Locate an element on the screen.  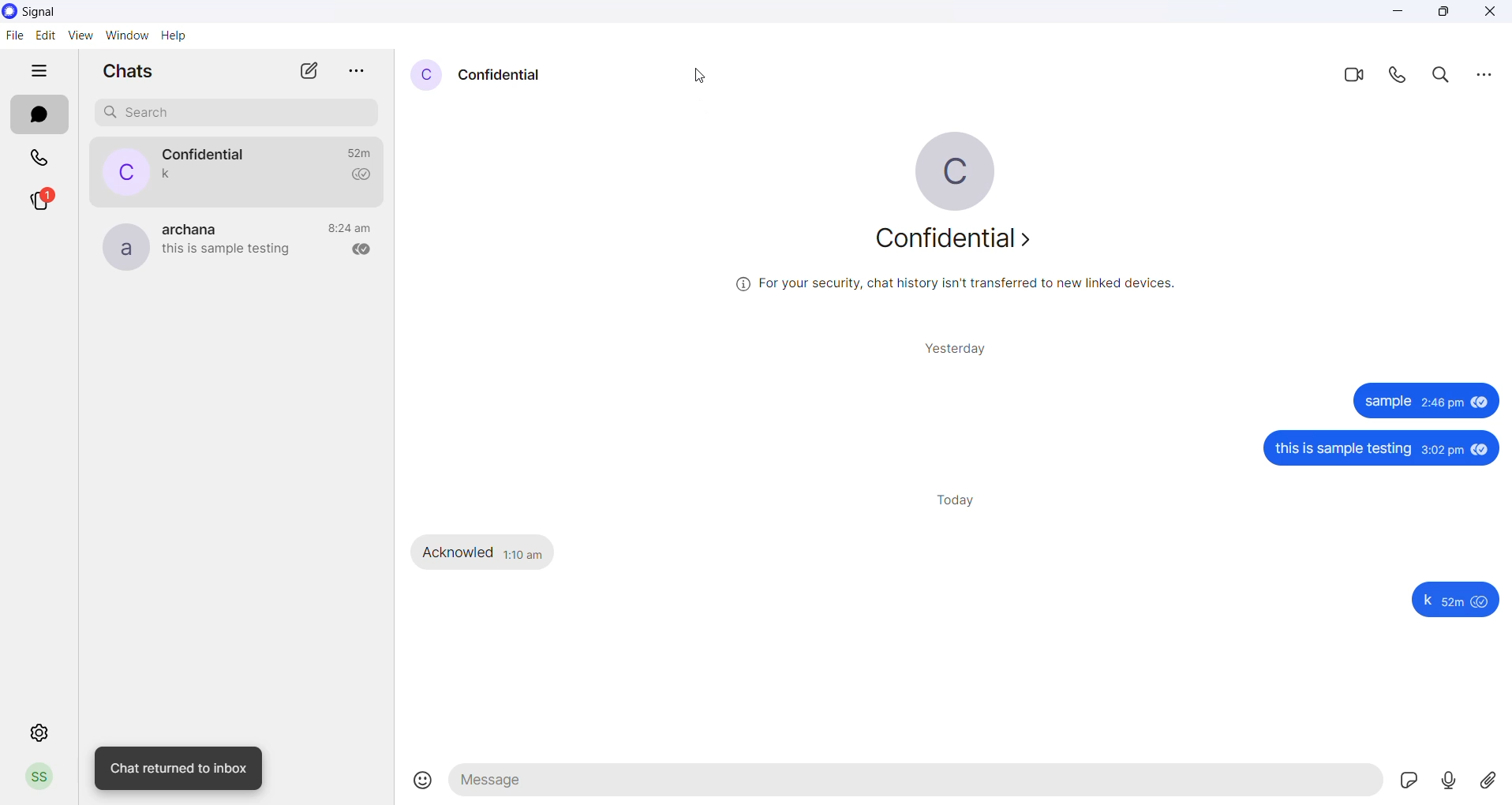
sticker is located at coordinates (1405, 780).